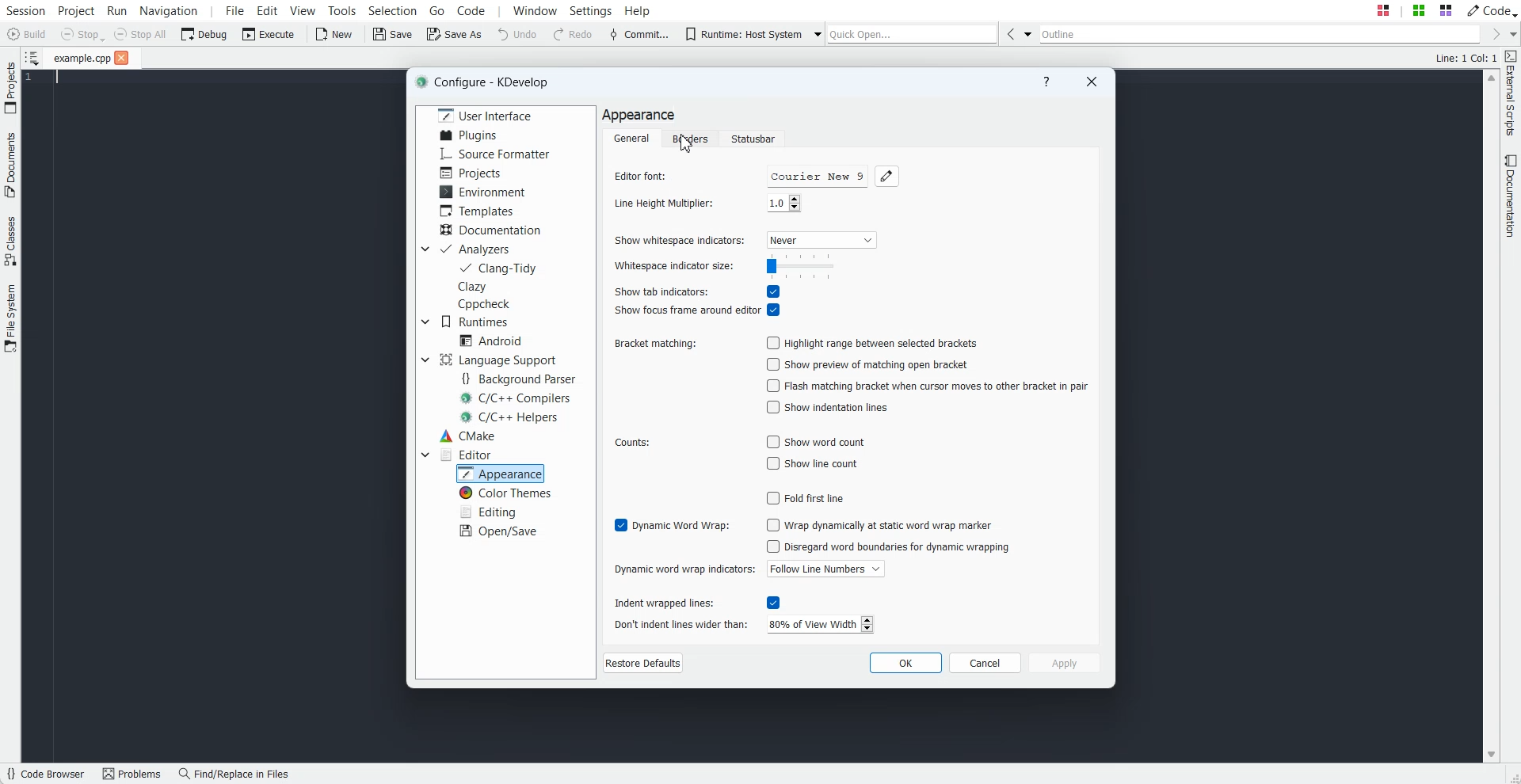 Image resolution: width=1521 pixels, height=784 pixels. What do you see at coordinates (500, 531) in the screenshot?
I see `Open/Save` at bounding box center [500, 531].